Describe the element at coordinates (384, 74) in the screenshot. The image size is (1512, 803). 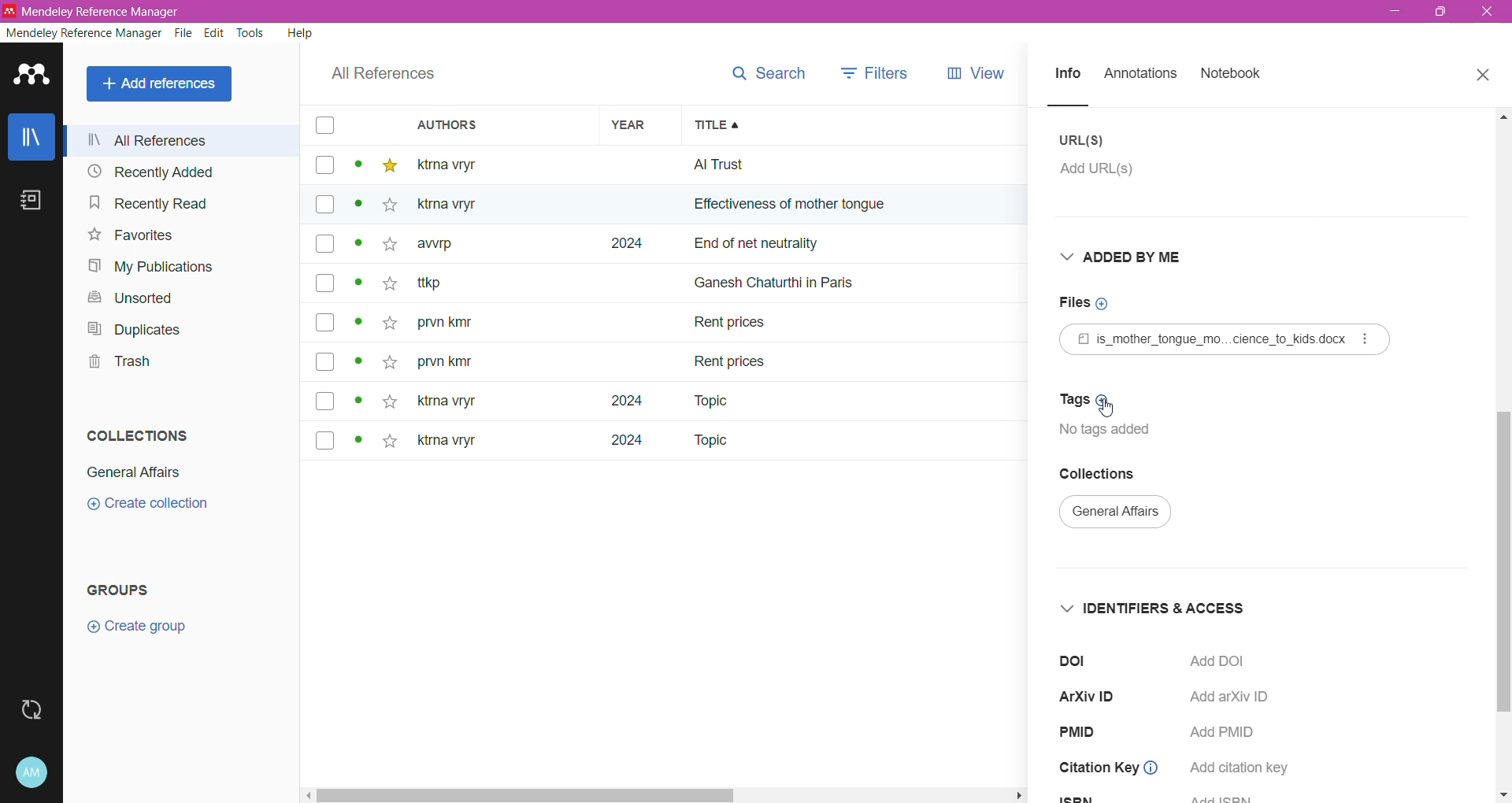
I see `All References` at that location.